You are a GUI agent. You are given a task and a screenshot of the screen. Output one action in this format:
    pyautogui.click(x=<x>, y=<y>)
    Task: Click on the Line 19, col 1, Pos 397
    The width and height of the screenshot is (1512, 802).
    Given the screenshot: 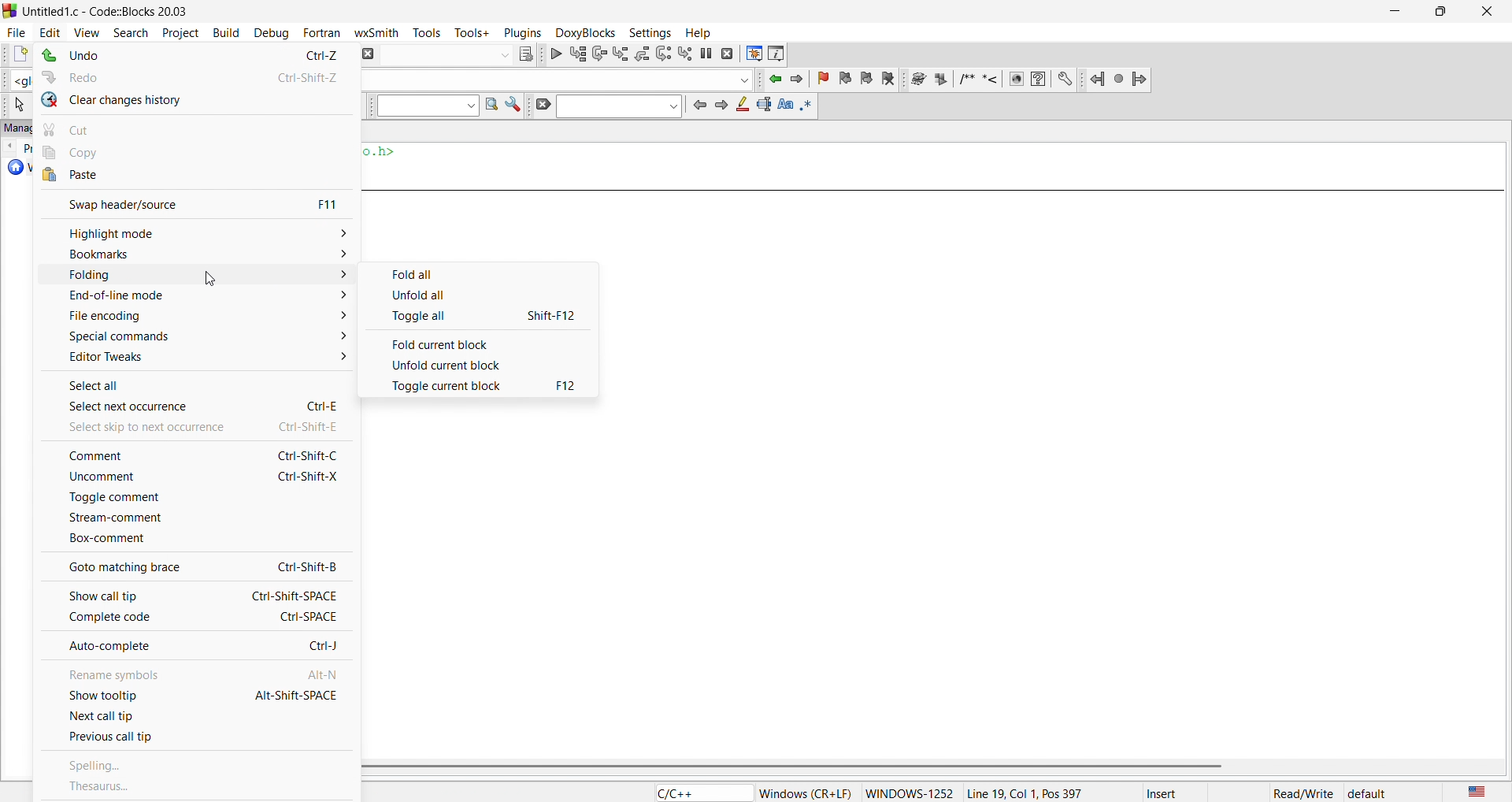 What is the action you would take?
    pyautogui.click(x=1024, y=793)
    